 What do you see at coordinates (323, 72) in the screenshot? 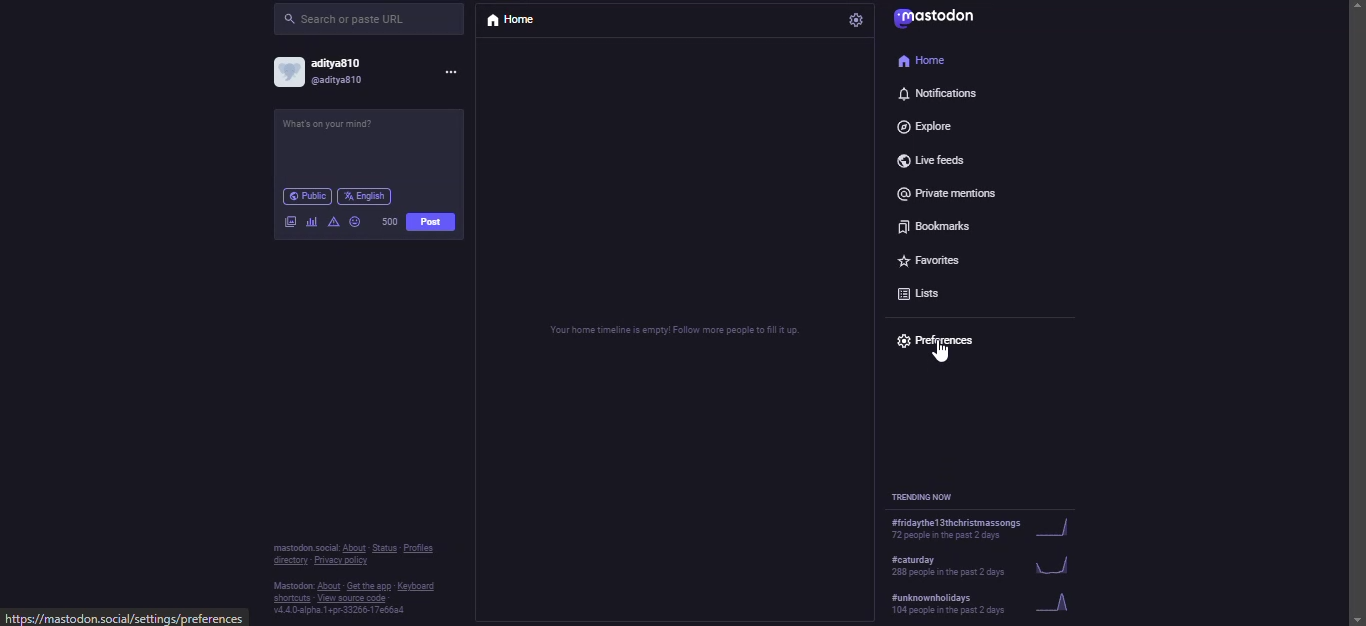
I see `account: aditiya810, @aditya810` at bounding box center [323, 72].